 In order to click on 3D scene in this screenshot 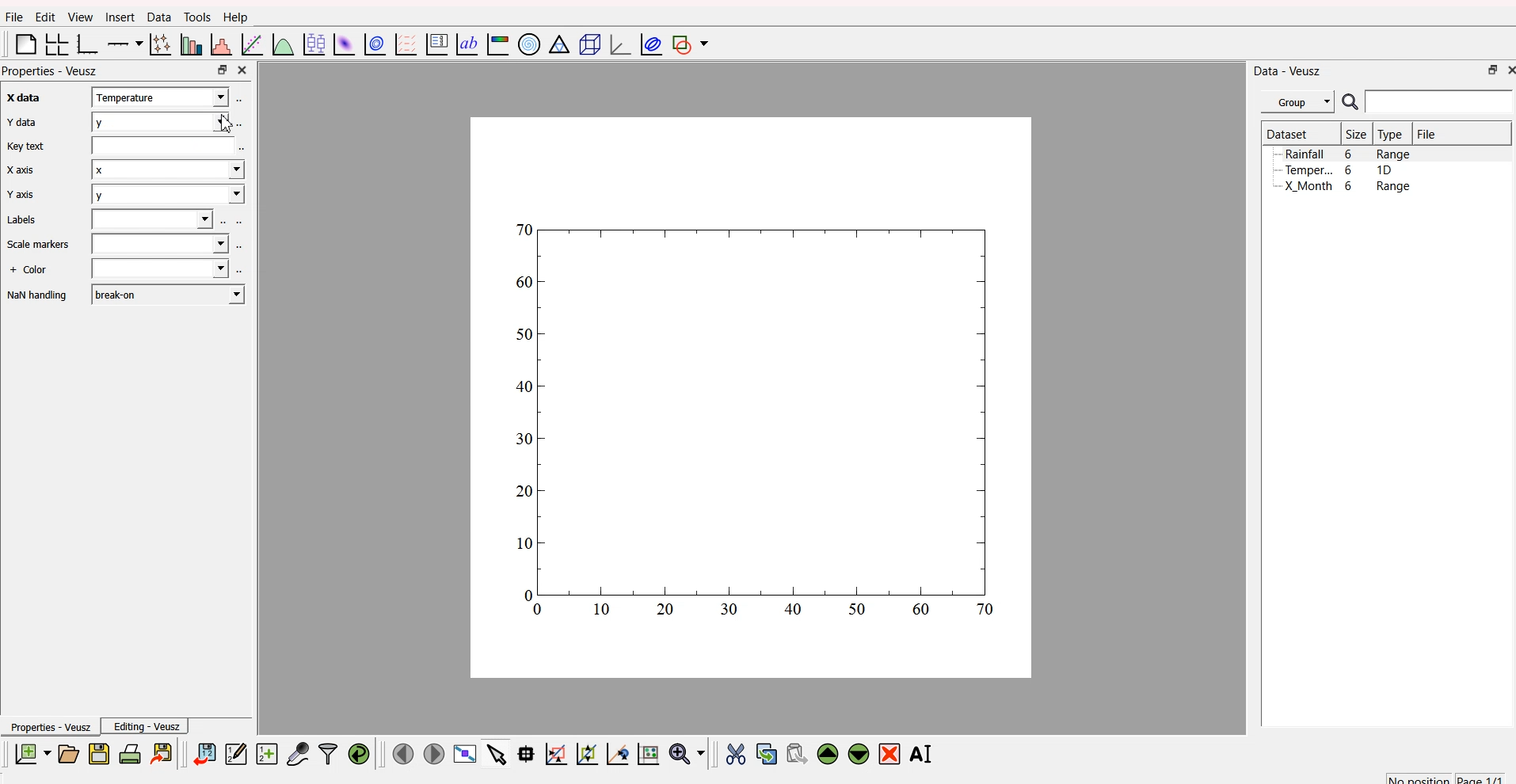, I will do `click(586, 44)`.